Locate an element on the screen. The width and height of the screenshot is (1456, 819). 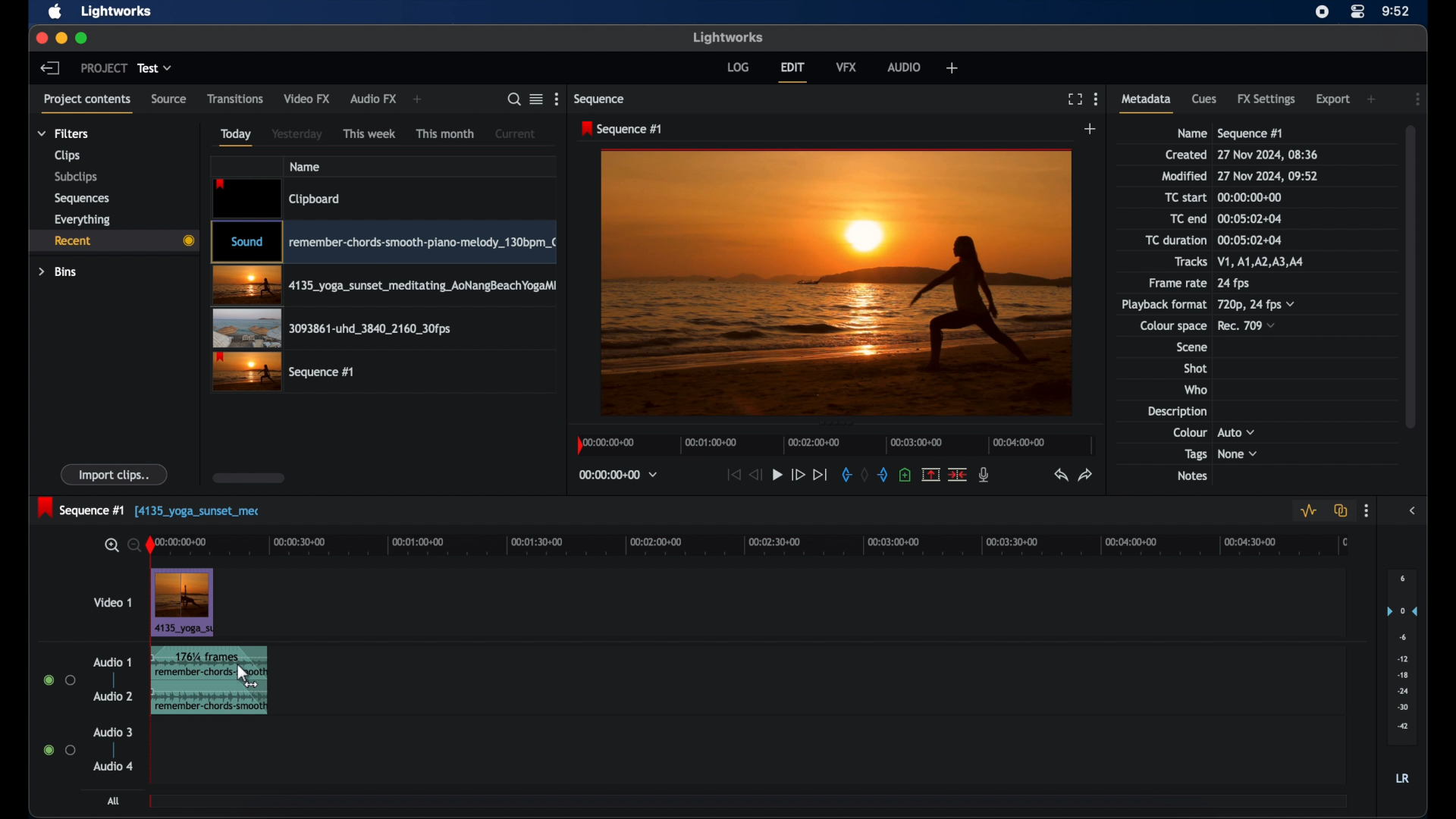
out mark is located at coordinates (883, 474).